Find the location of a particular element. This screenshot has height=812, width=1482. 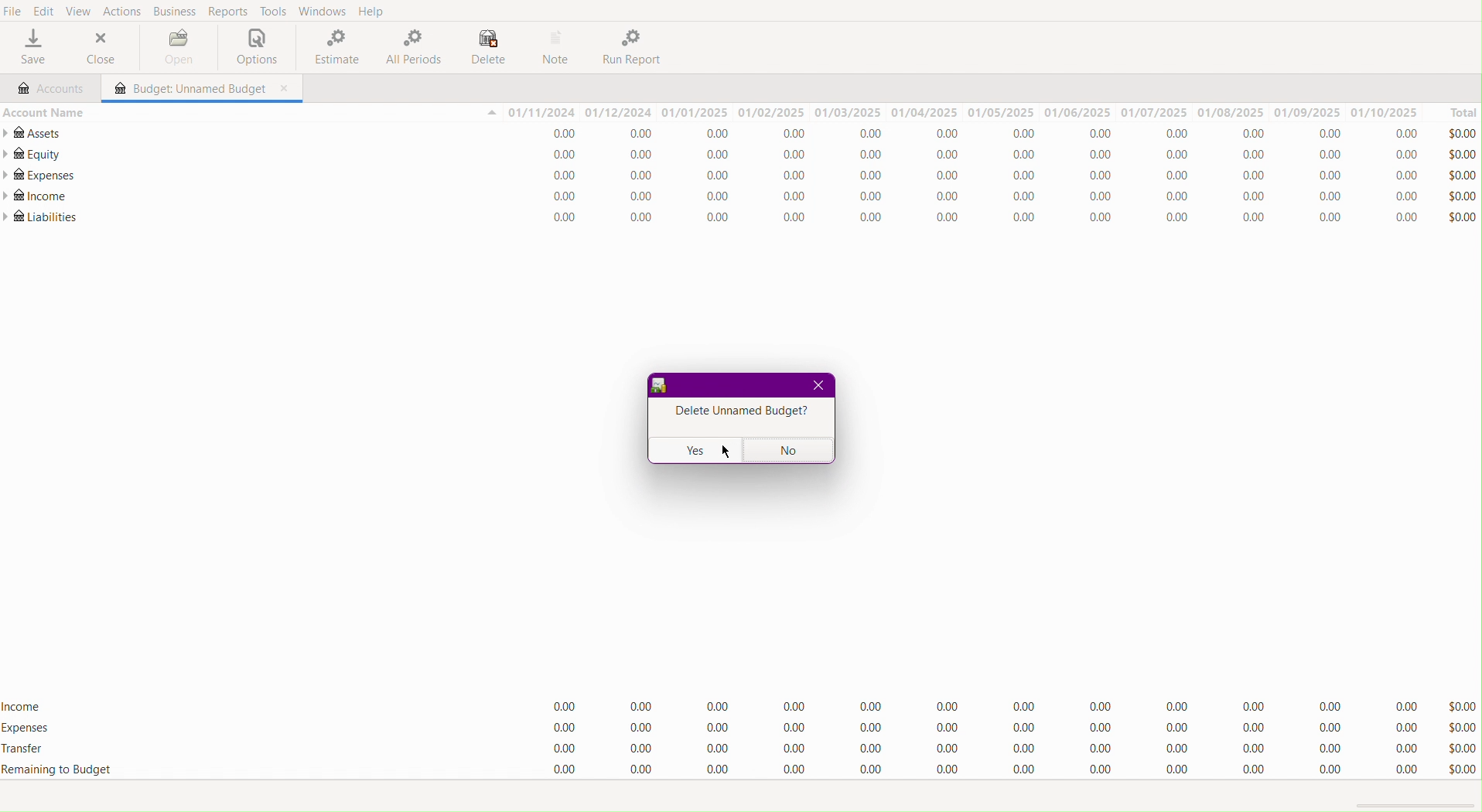

Total Value is located at coordinates (1460, 737).